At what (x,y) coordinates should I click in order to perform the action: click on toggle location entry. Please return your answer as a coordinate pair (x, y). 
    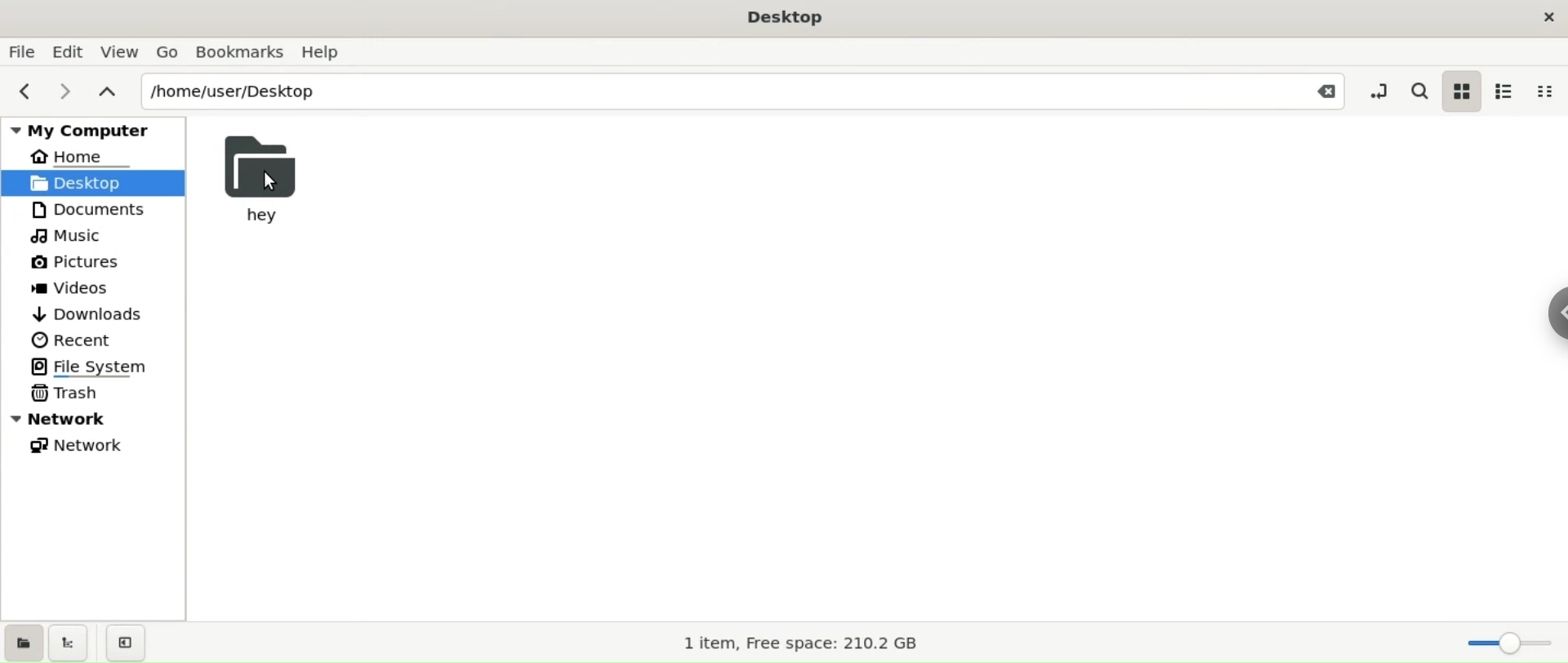
    Looking at the image, I should click on (1382, 90).